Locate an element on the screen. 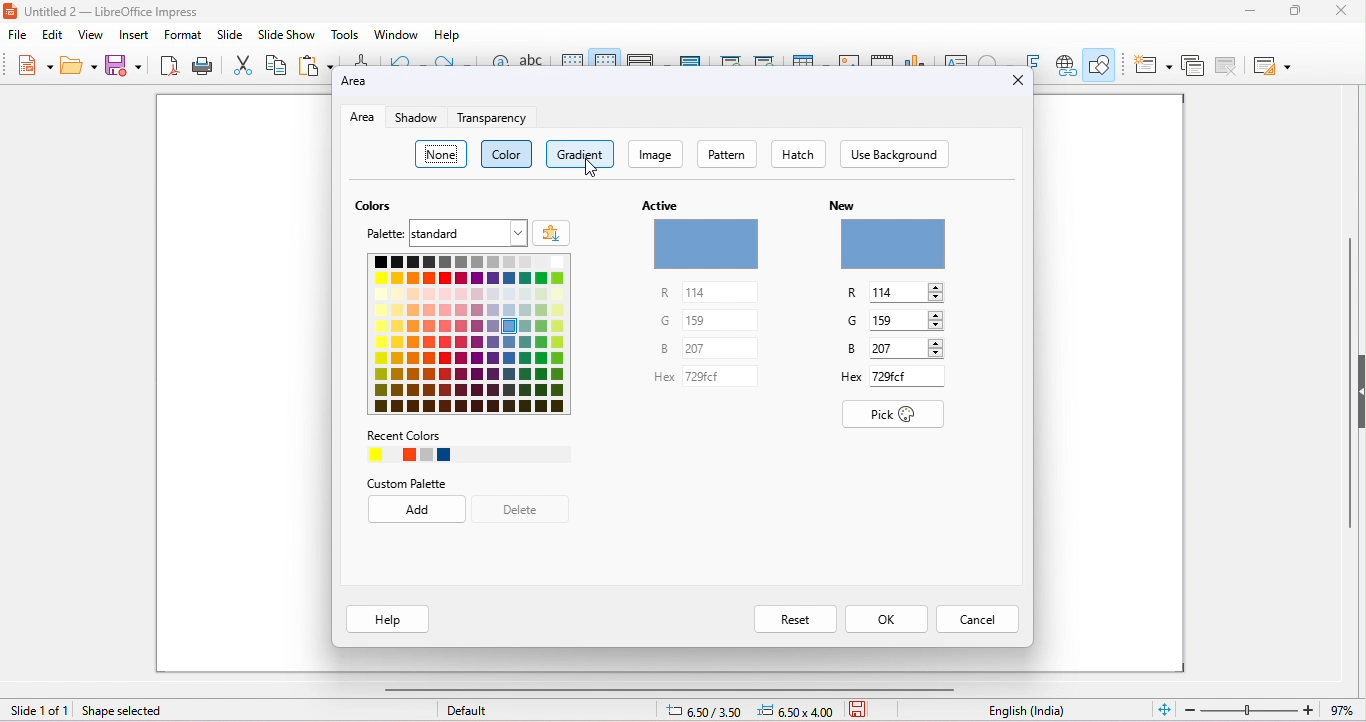  undo is located at coordinates (403, 59).